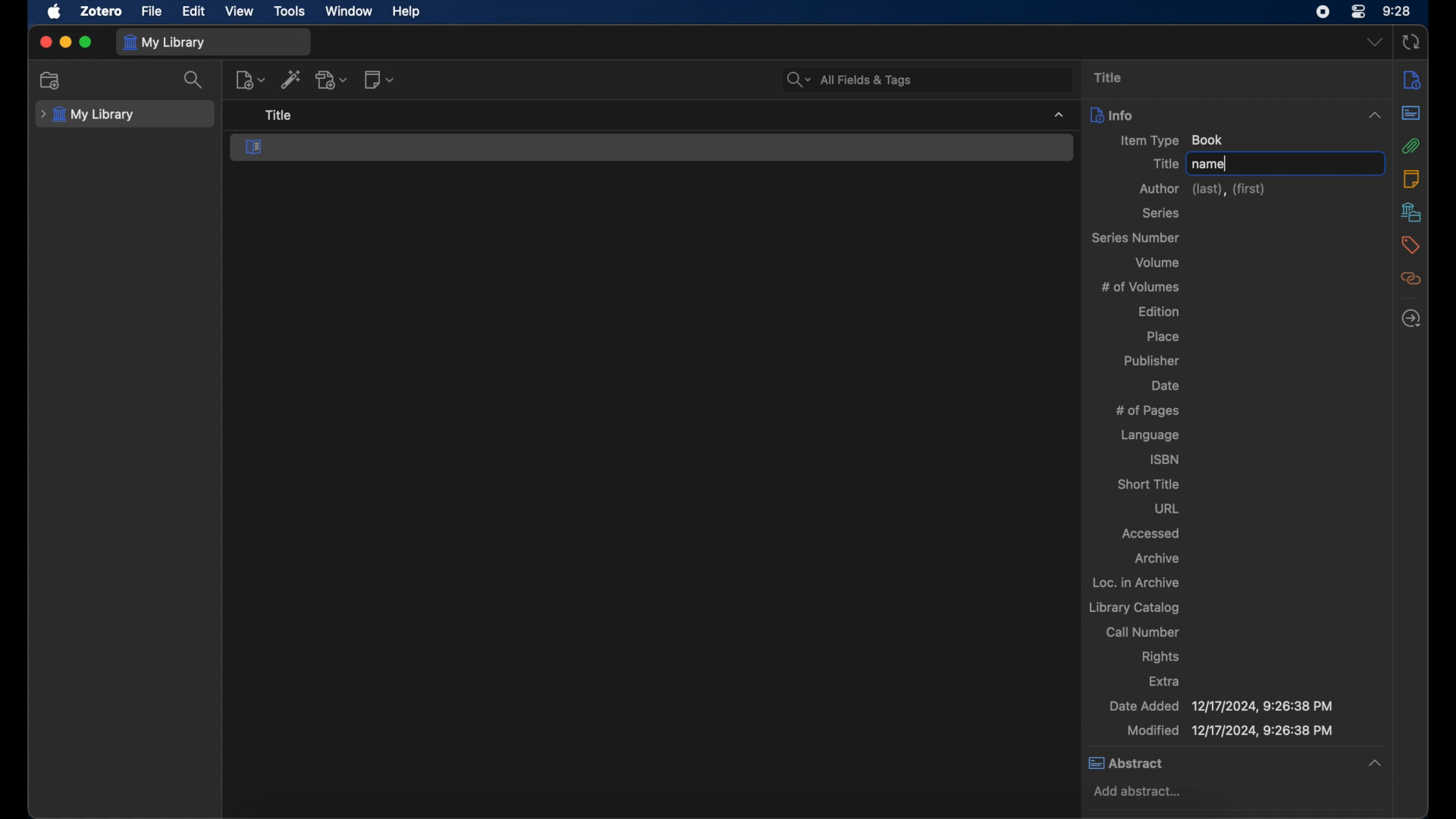 The image size is (1456, 819). What do you see at coordinates (1166, 460) in the screenshot?
I see `isbn` at bounding box center [1166, 460].